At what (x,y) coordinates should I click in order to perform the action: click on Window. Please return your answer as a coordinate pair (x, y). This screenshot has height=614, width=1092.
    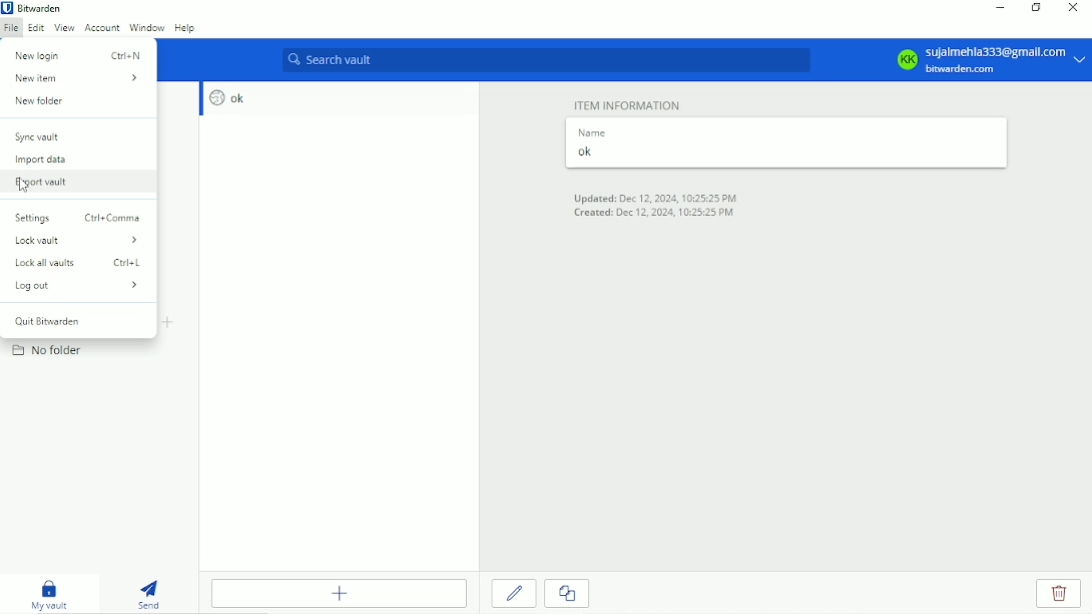
    Looking at the image, I should click on (147, 27).